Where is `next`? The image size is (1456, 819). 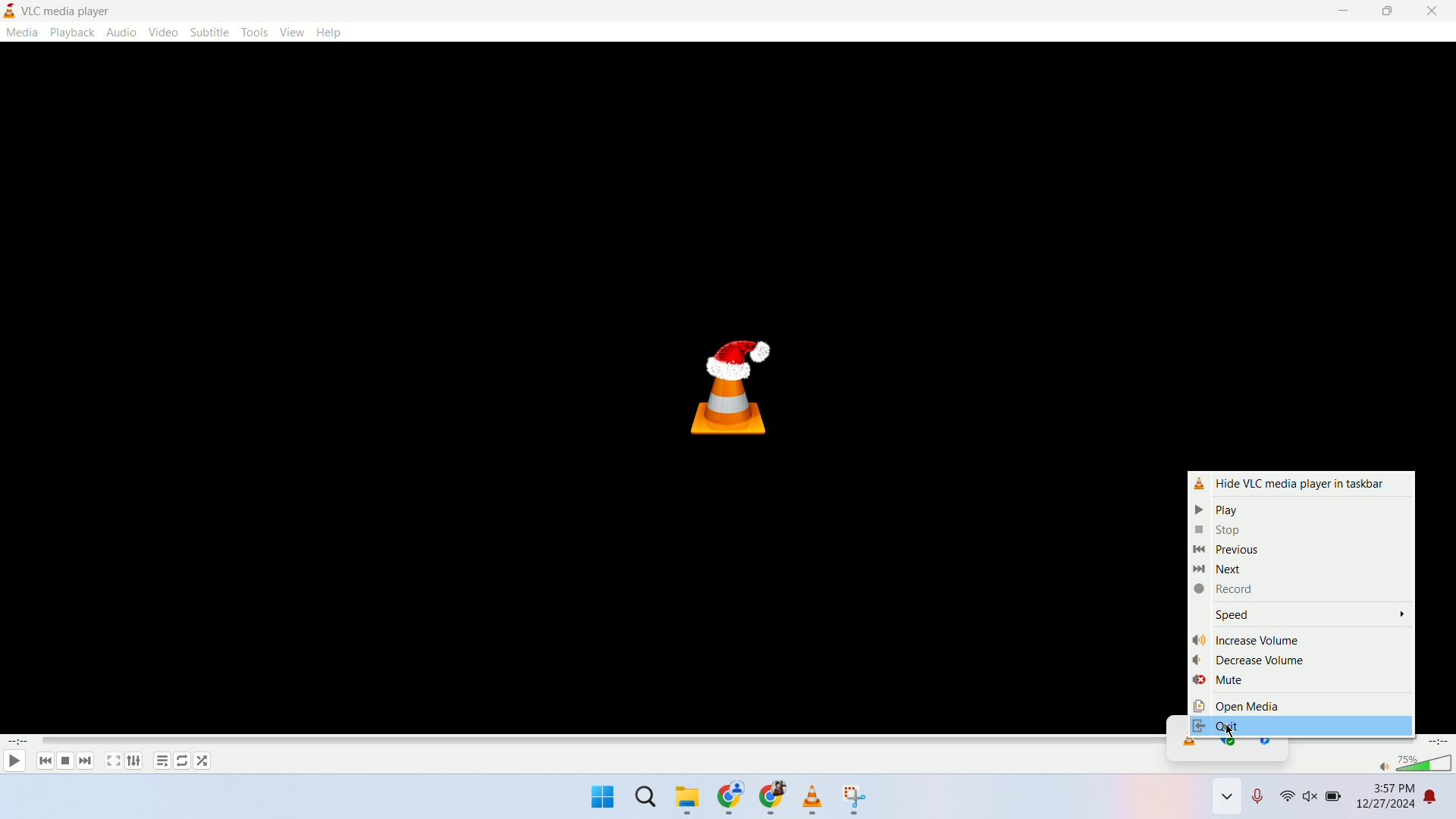
next is located at coordinates (1298, 570).